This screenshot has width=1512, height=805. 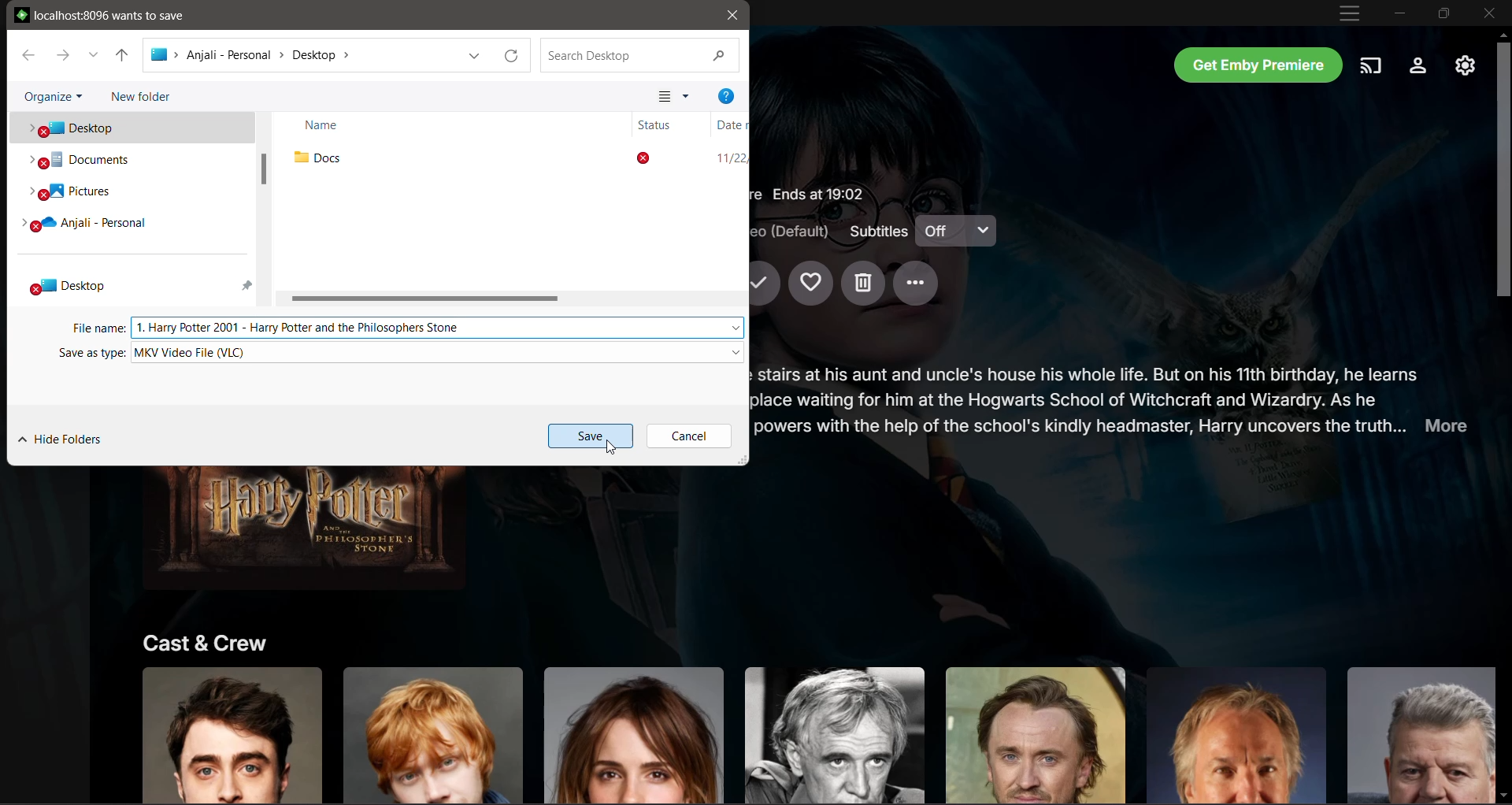 What do you see at coordinates (917, 284) in the screenshot?
I see `More` at bounding box center [917, 284].